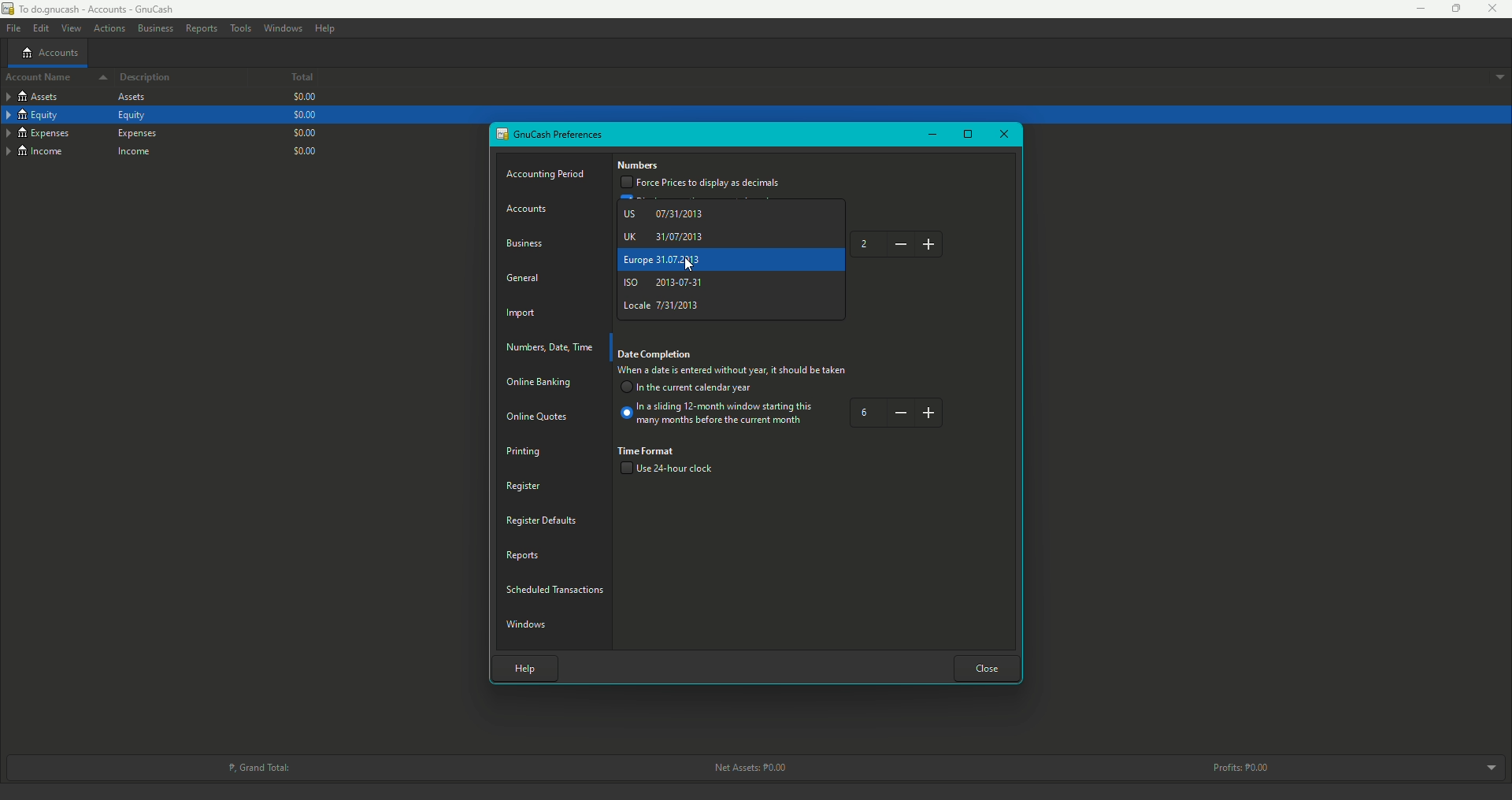  What do you see at coordinates (543, 417) in the screenshot?
I see `Online Quotes` at bounding box center [543, 417].